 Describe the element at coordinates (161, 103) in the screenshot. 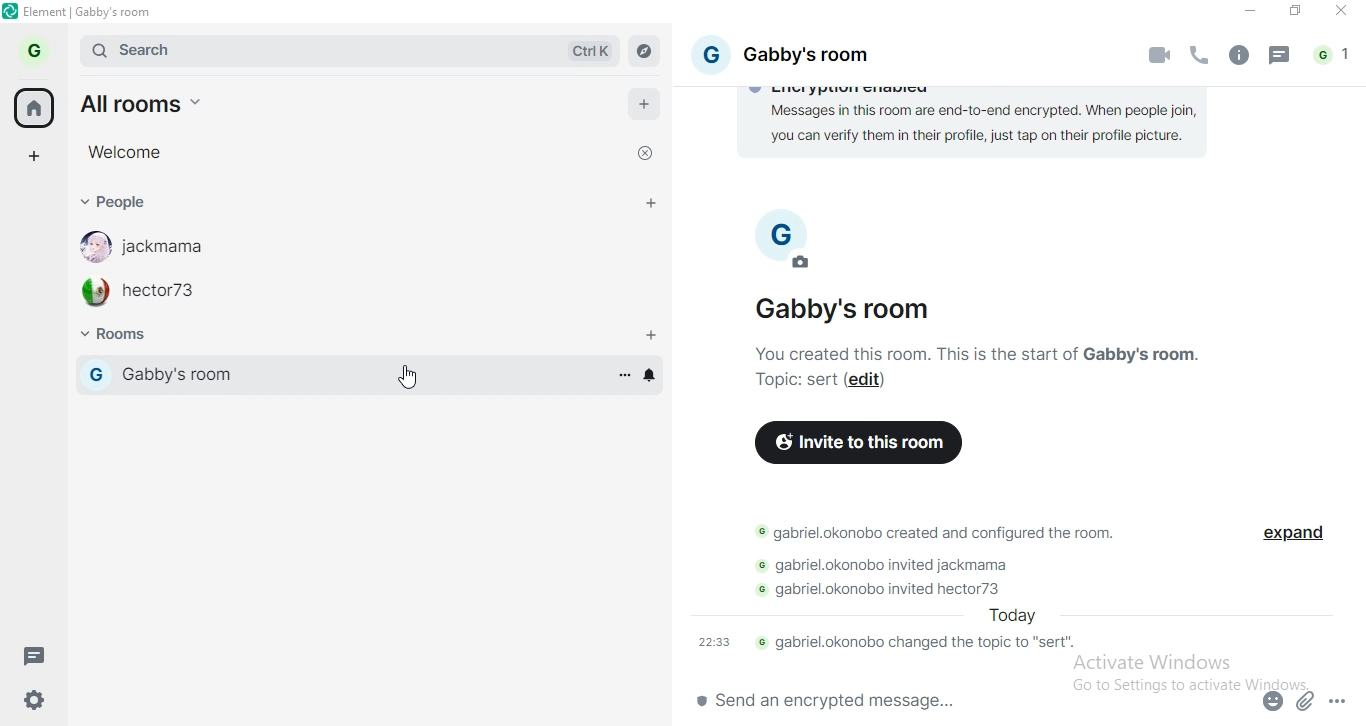

I see `all rooms` at that location.